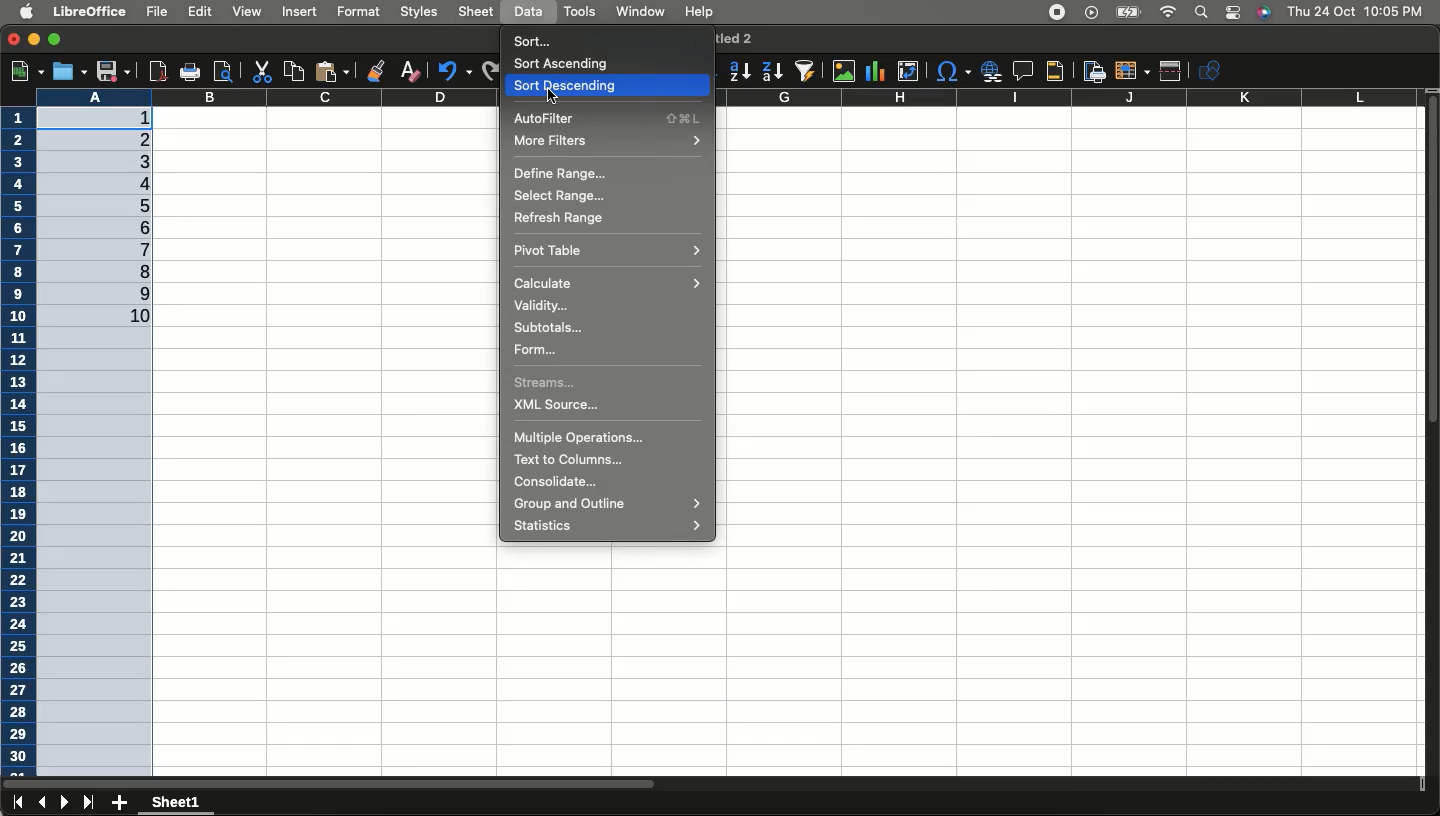 The image size is (1440, 816). I want to click on Define print area , so click(1092, 70).